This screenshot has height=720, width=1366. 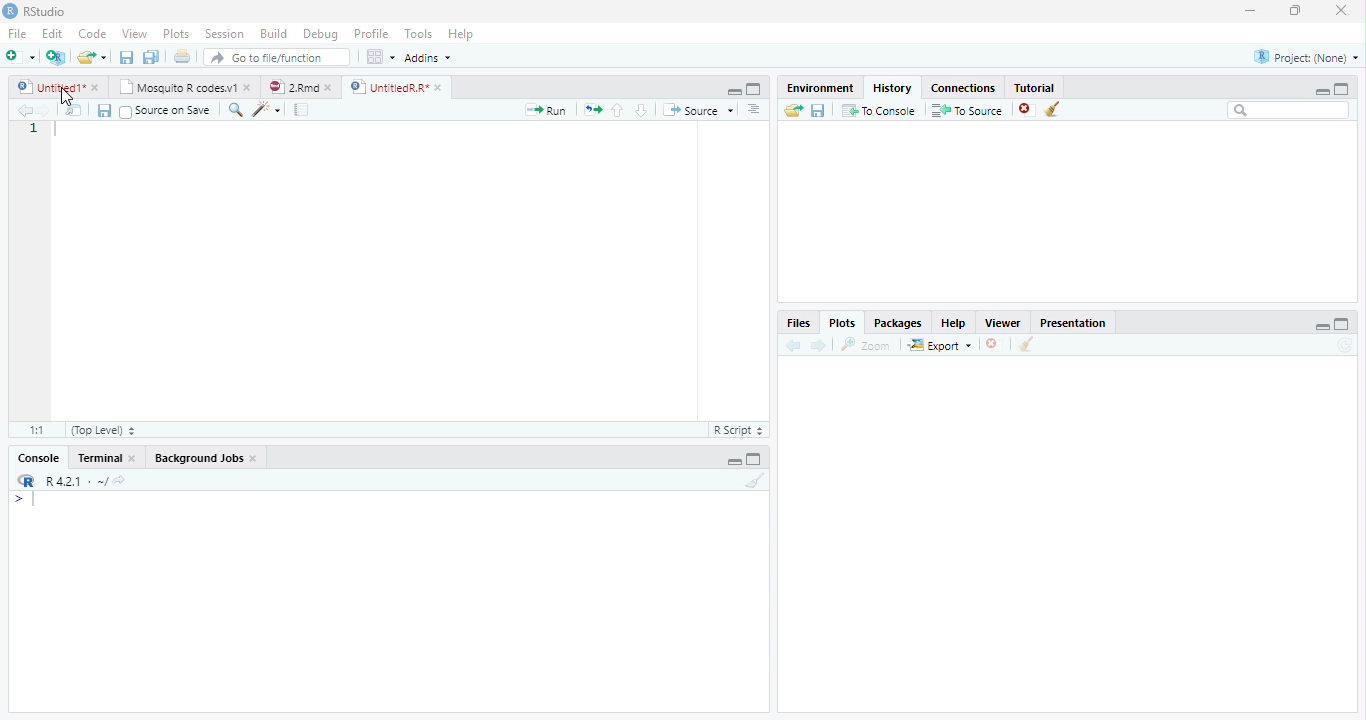 I want to click on Back, so click(x=23, y=111).